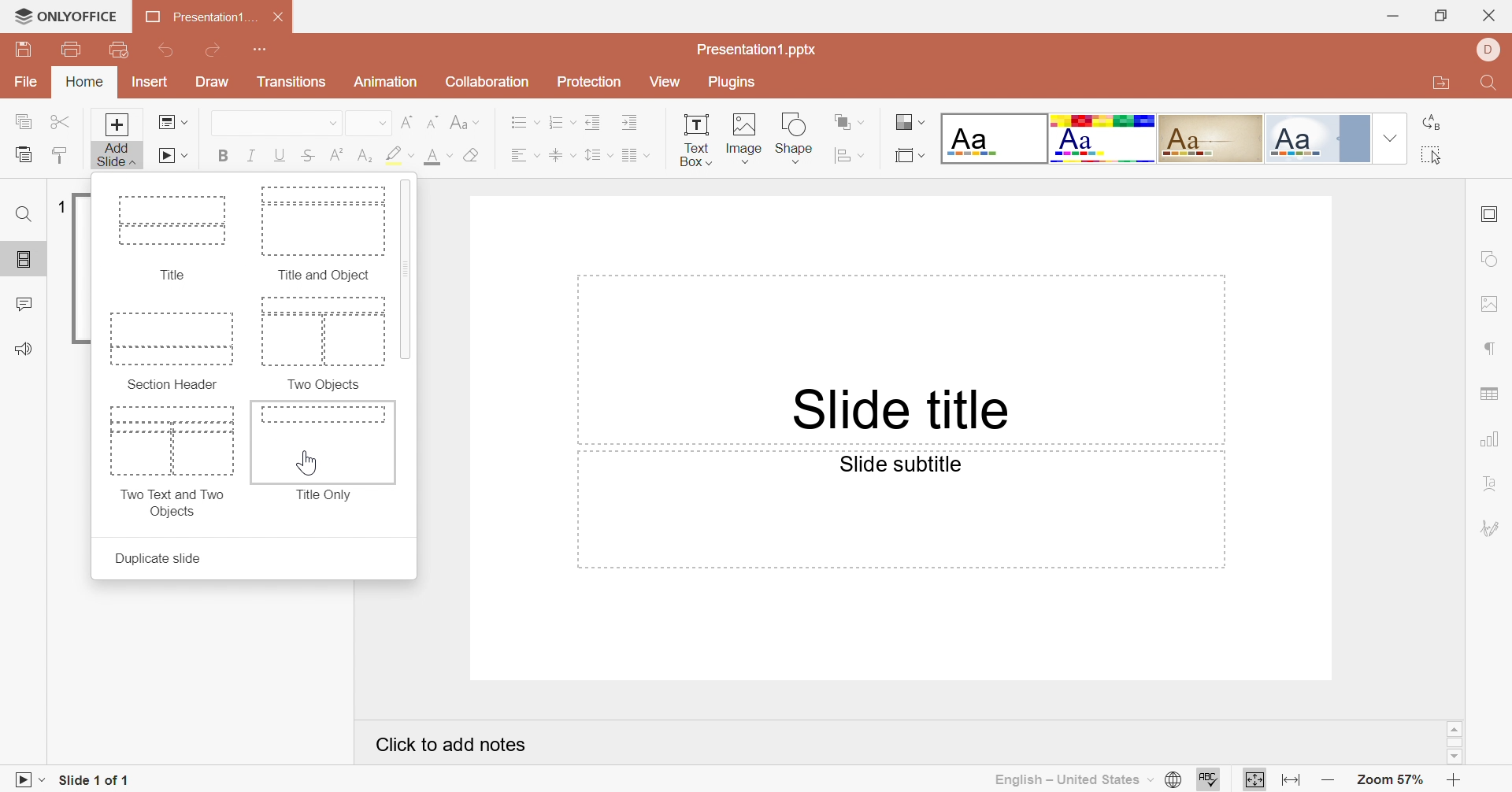 The image size is (1512, 792). I want to click on Change slide layout, so click(172, 122).